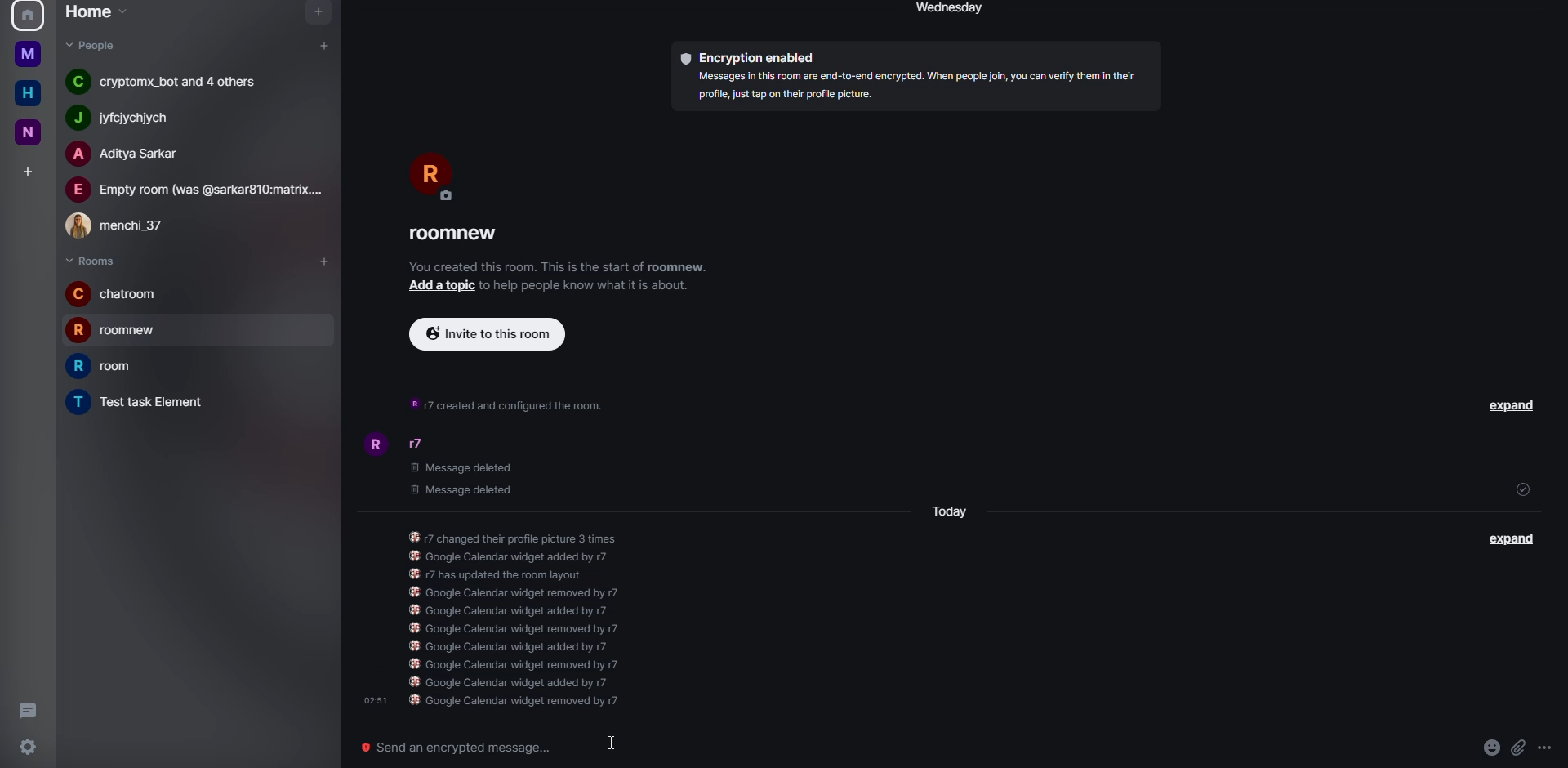 The image size is (1568, 768). I want to click on room, so click(121, 330).